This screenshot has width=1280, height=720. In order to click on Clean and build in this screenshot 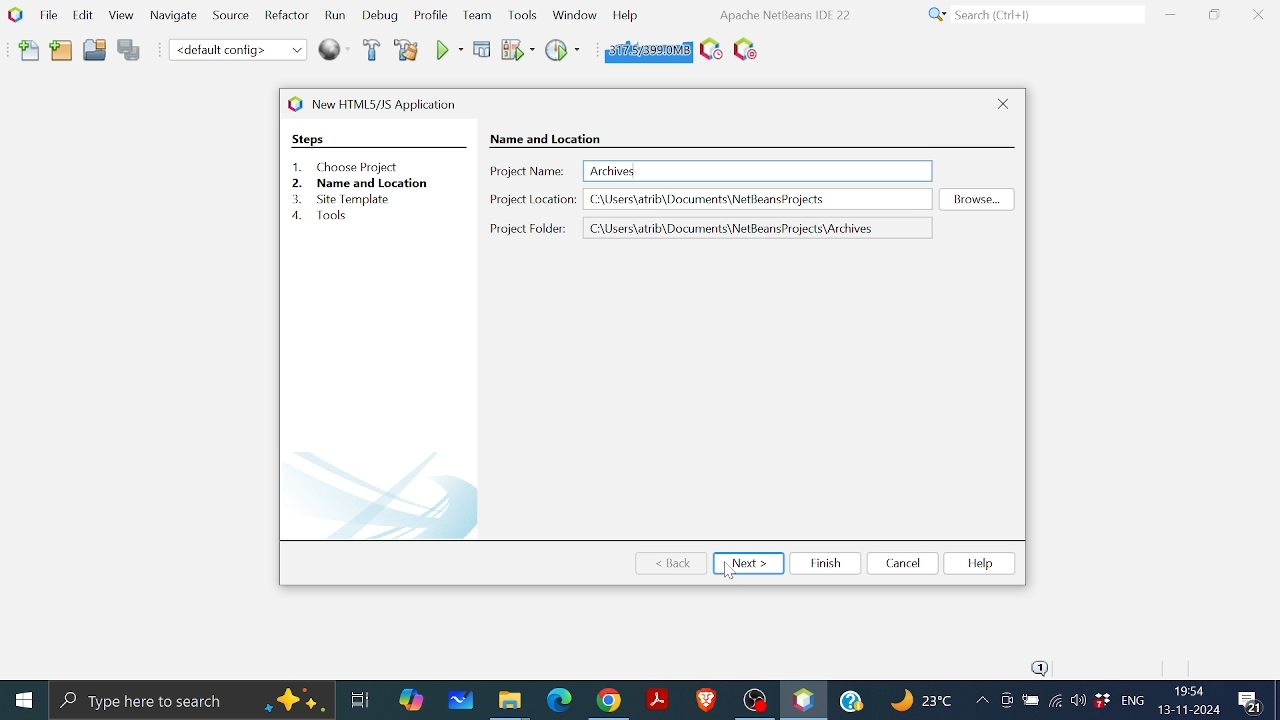, I will do `click(408, 50)`.